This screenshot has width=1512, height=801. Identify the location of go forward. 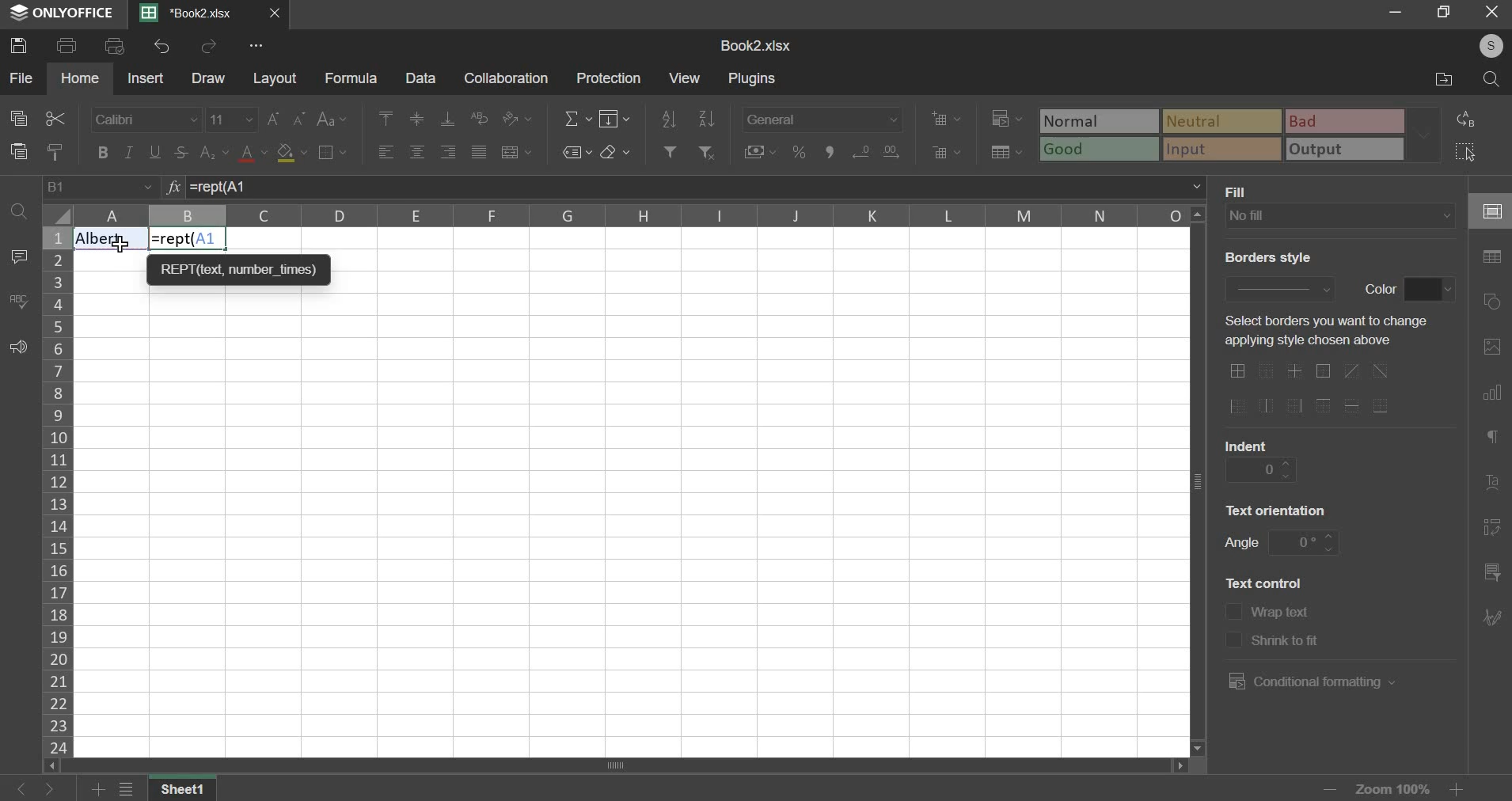
(57, 789).